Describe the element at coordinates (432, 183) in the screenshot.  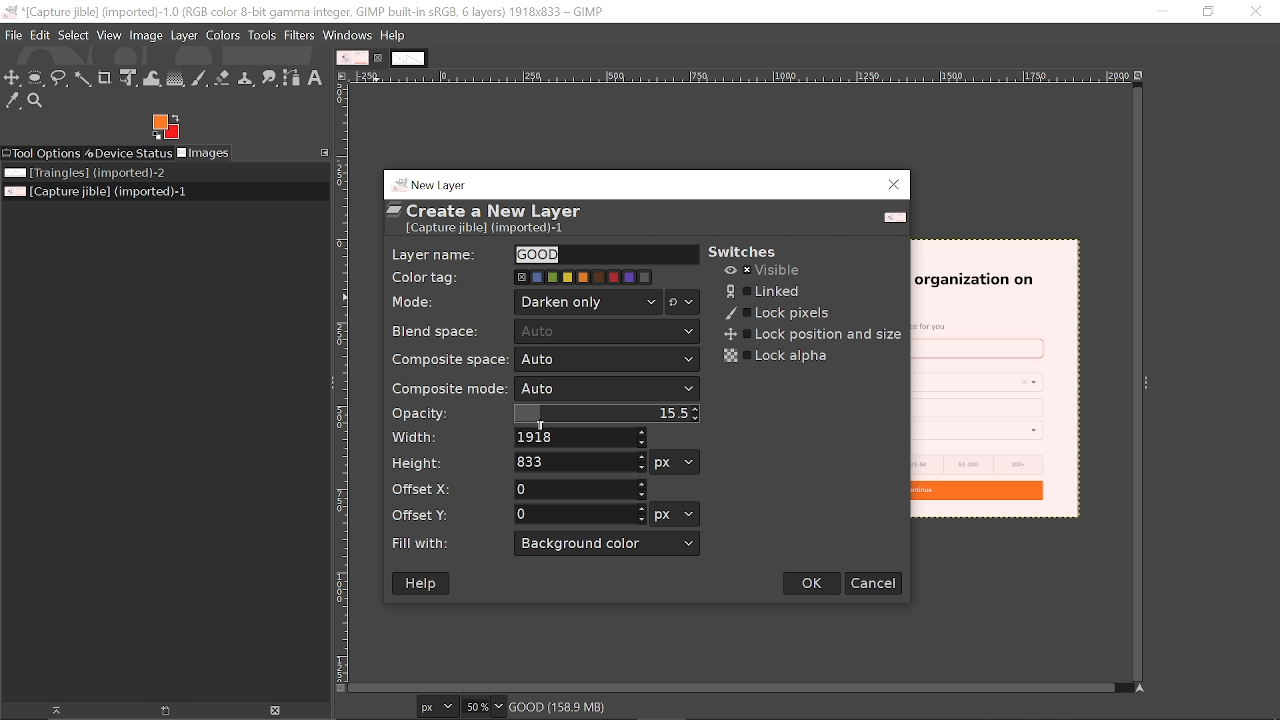
I see `new layer` at that location.